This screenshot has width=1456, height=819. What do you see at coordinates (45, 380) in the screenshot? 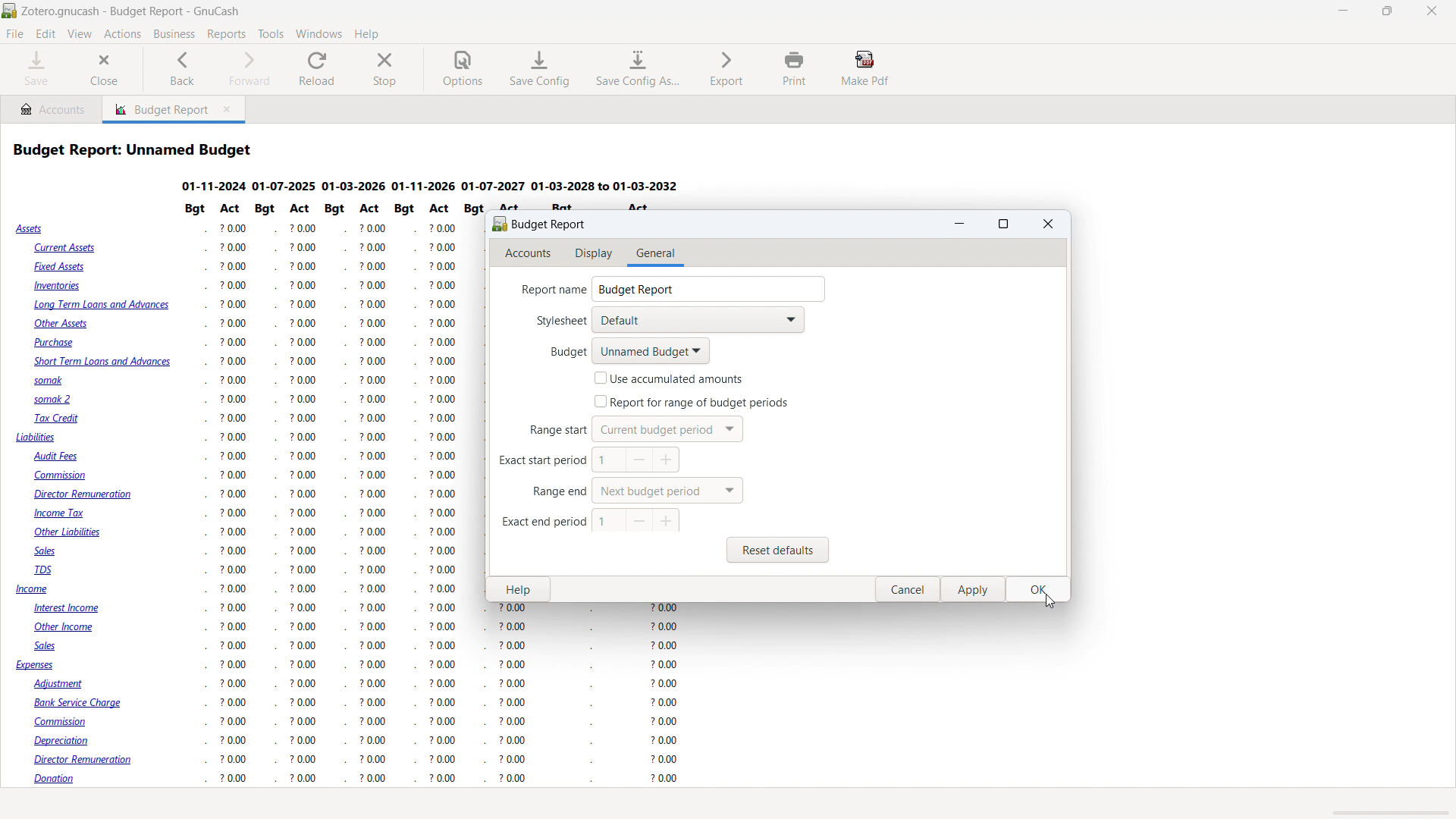
I see `somak` at bounding box center [45, 380].